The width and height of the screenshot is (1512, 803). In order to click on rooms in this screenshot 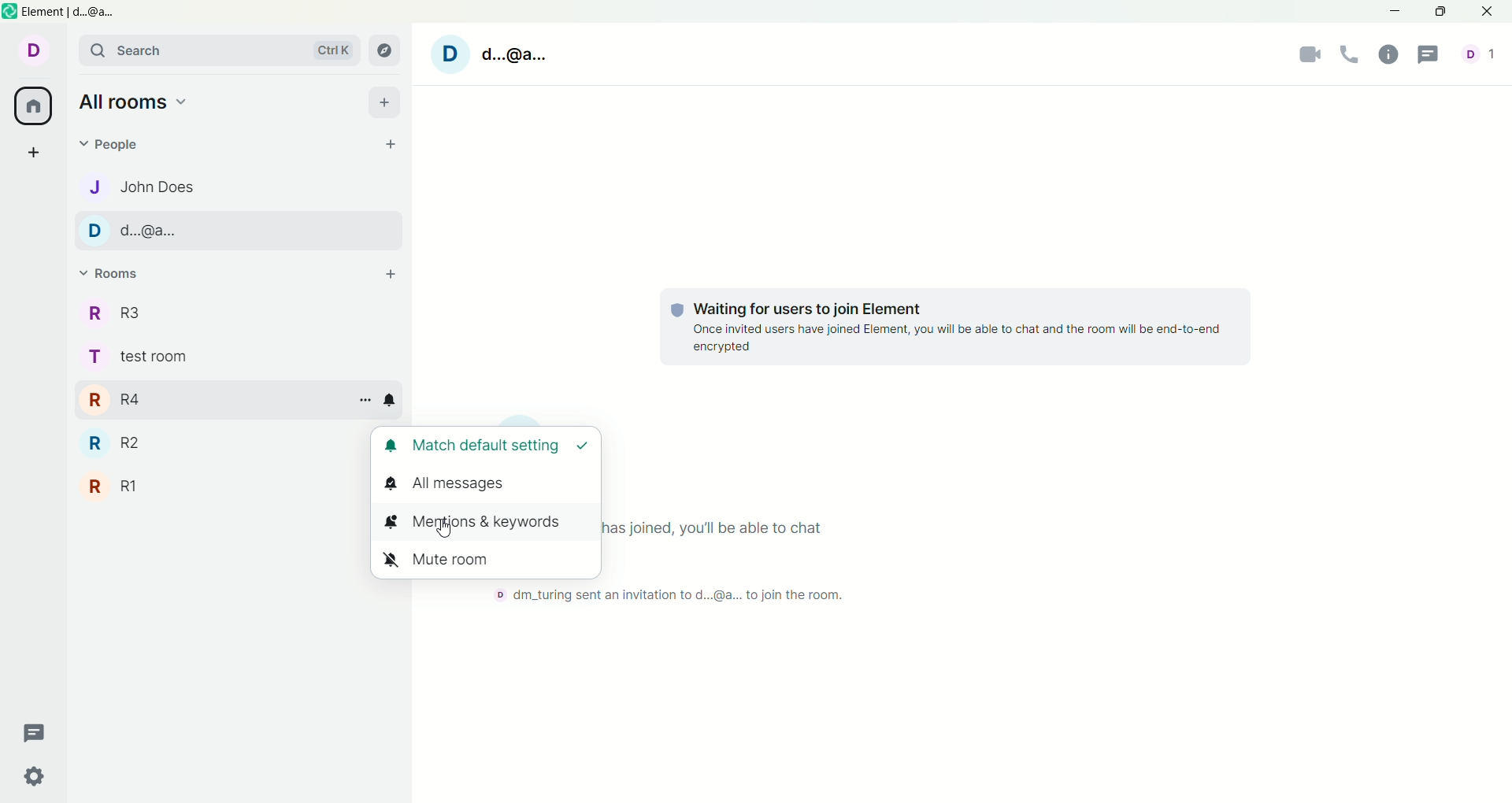, I will do `click(109, 274)`.